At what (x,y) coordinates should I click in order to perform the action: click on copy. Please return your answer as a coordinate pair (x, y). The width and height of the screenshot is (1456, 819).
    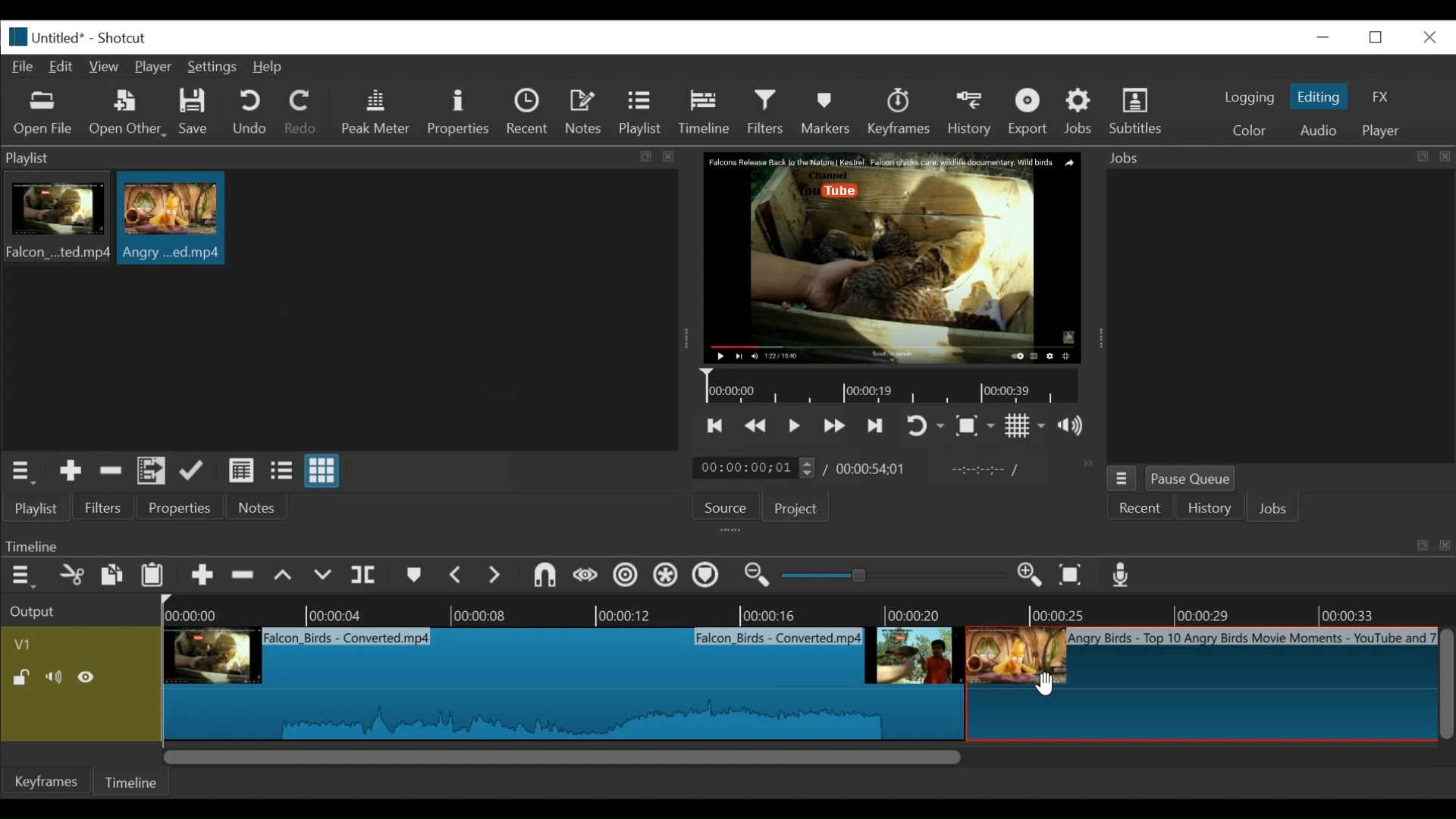
    Looking at the image, I should click on (113, 577).